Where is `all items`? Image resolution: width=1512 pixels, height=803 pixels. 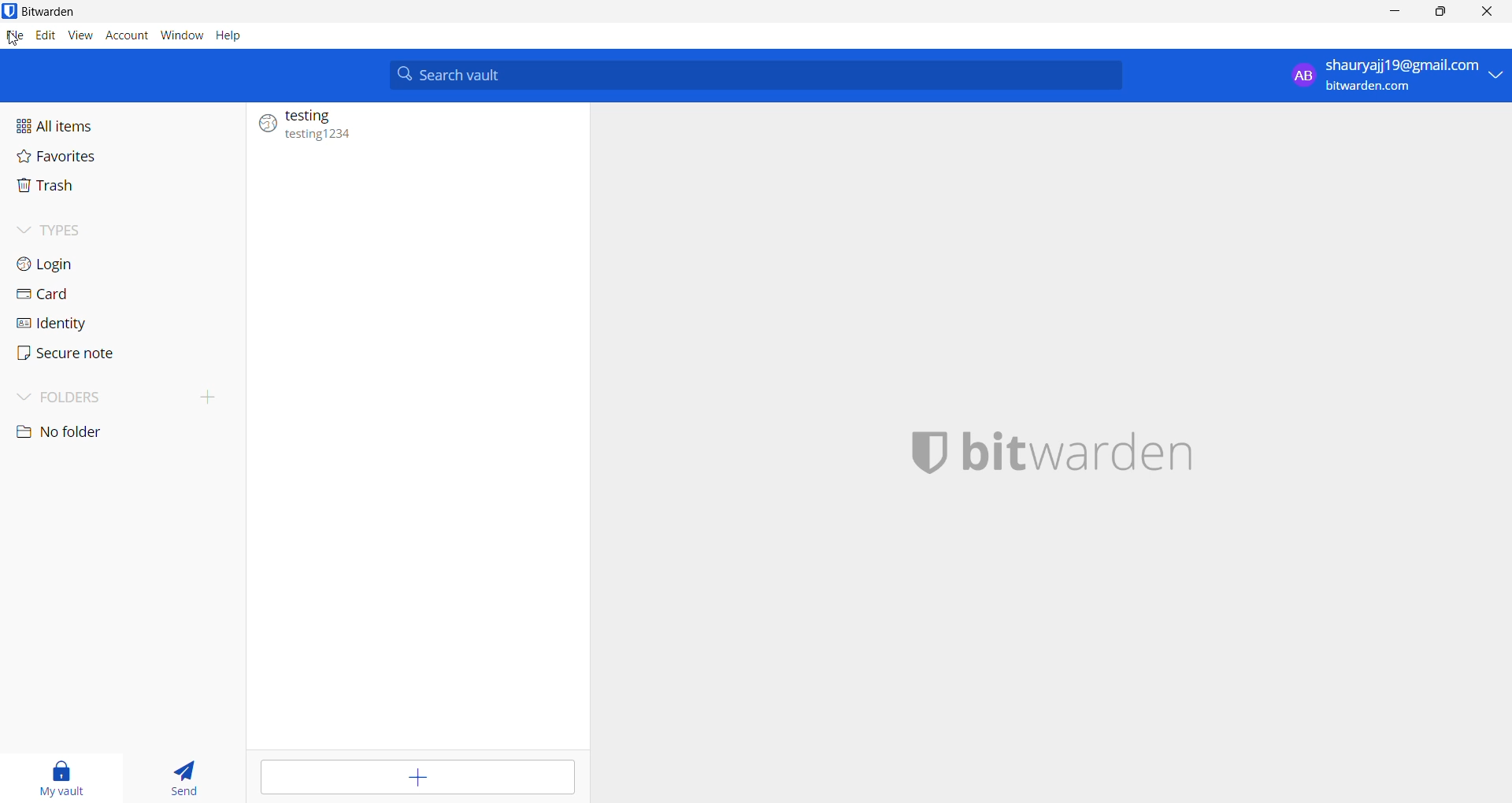
all items is located at coordinates (74, 124).